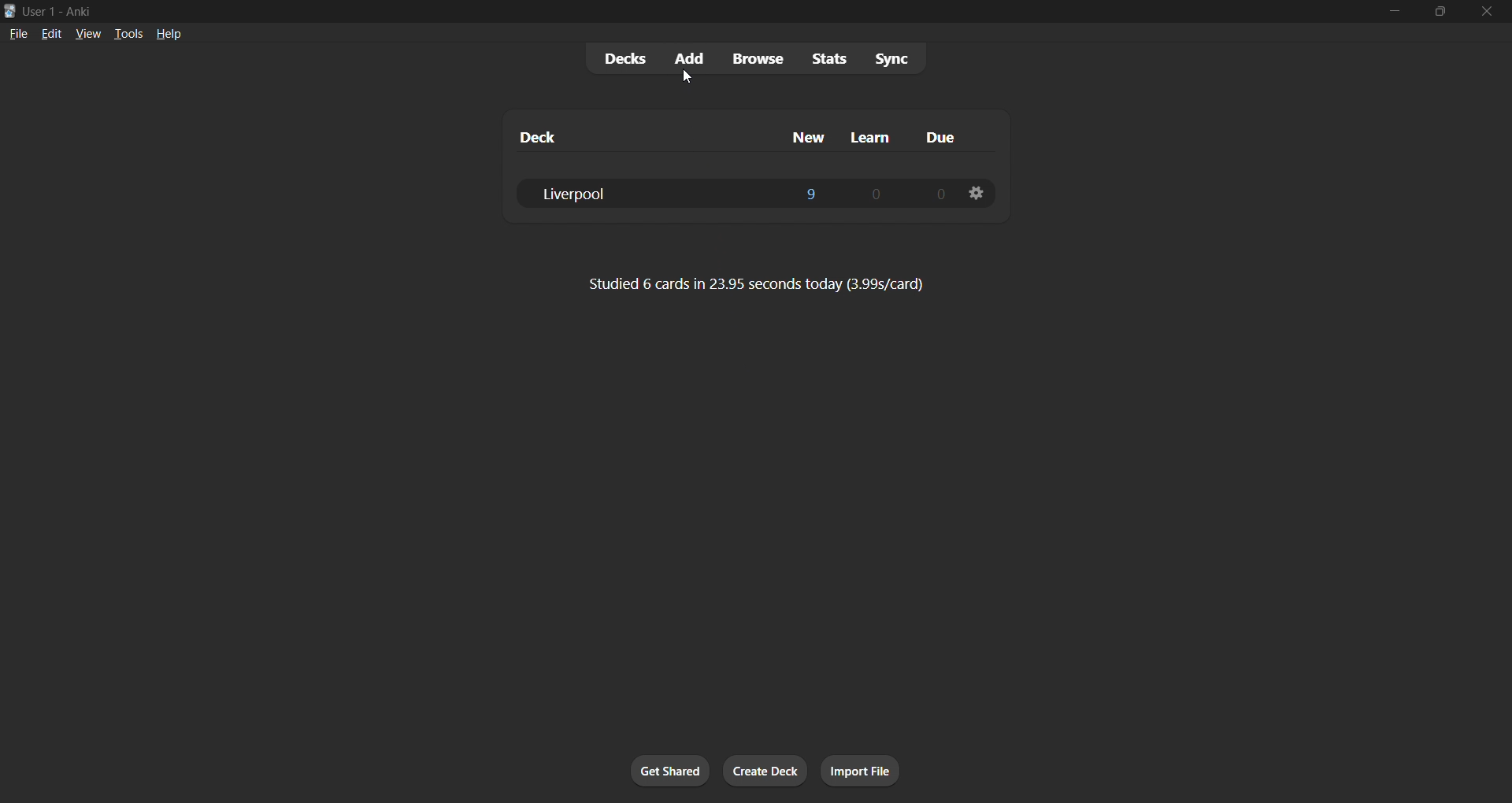  What do you see at coordinates (625, 60) in the screenshot?
I see `decks` at bounding box center [625, 60].